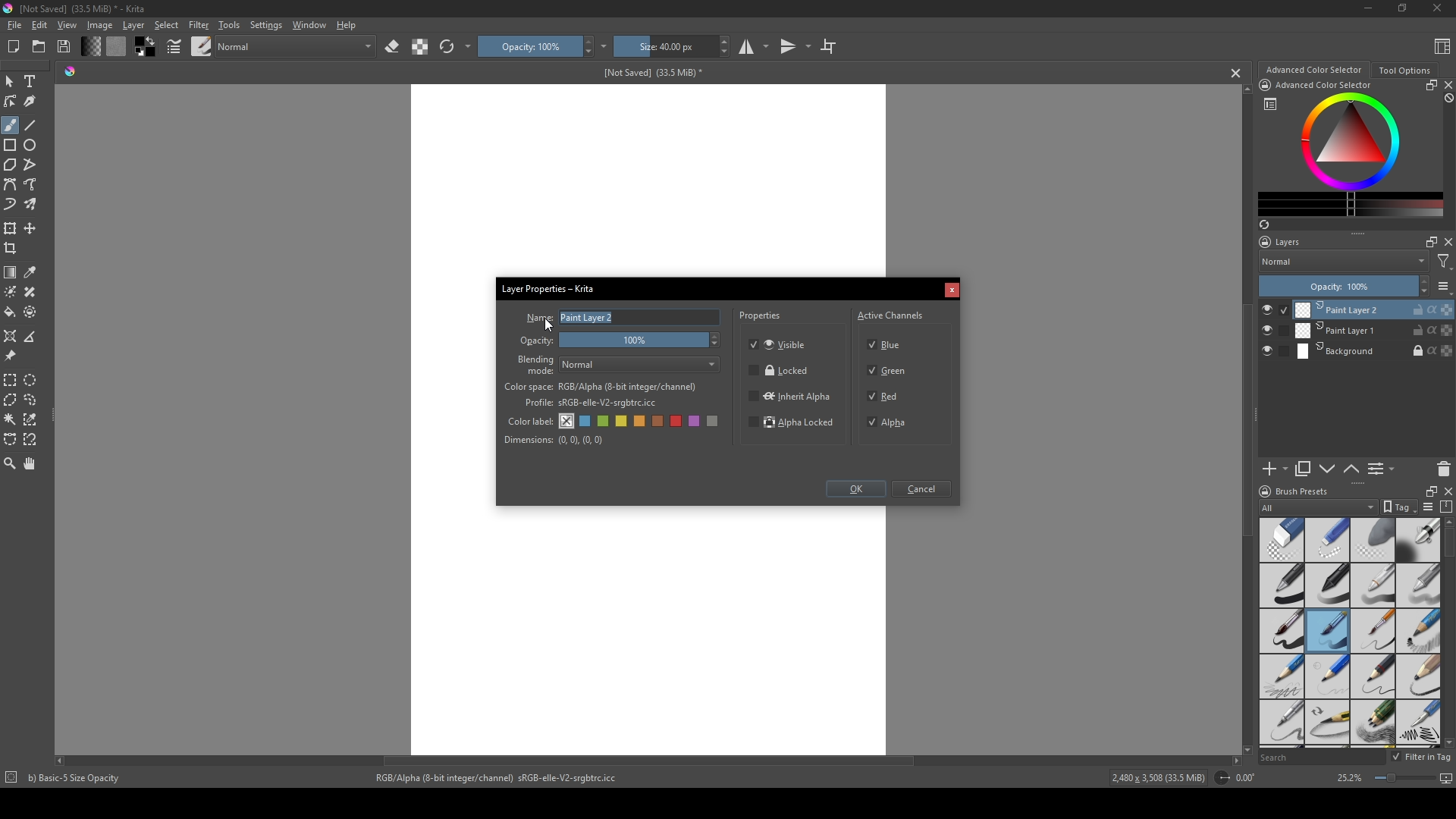  Describe the element at coordinates (198, 25) in the screenshot. I see `Filter` at that location.